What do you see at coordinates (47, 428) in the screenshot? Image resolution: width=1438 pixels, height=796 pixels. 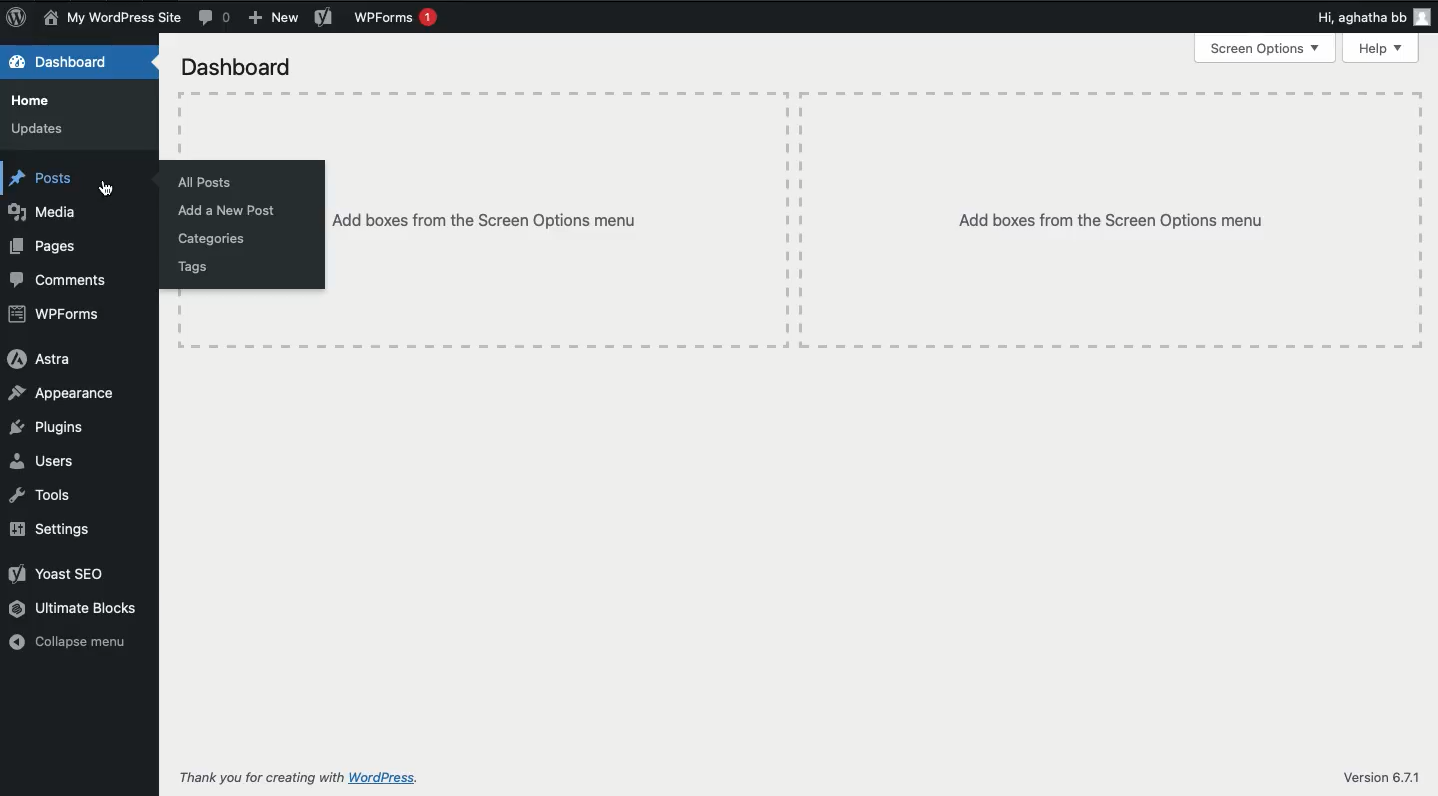 I see `Plugins` at bounding box center [47, 428].